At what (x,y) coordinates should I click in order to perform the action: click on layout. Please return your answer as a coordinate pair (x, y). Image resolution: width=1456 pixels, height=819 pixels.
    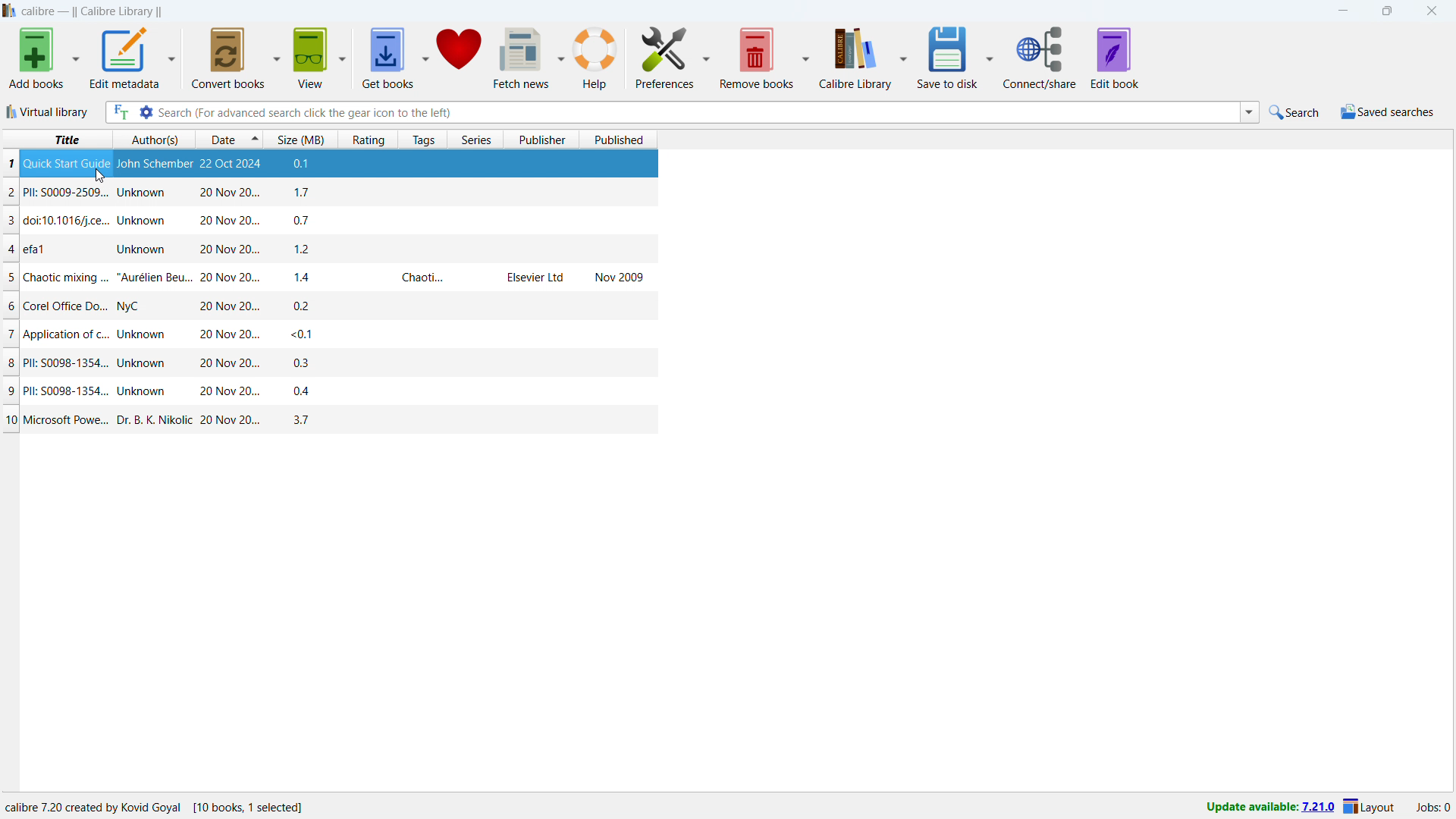
    Looking at the image, I should click on (1371, 806).